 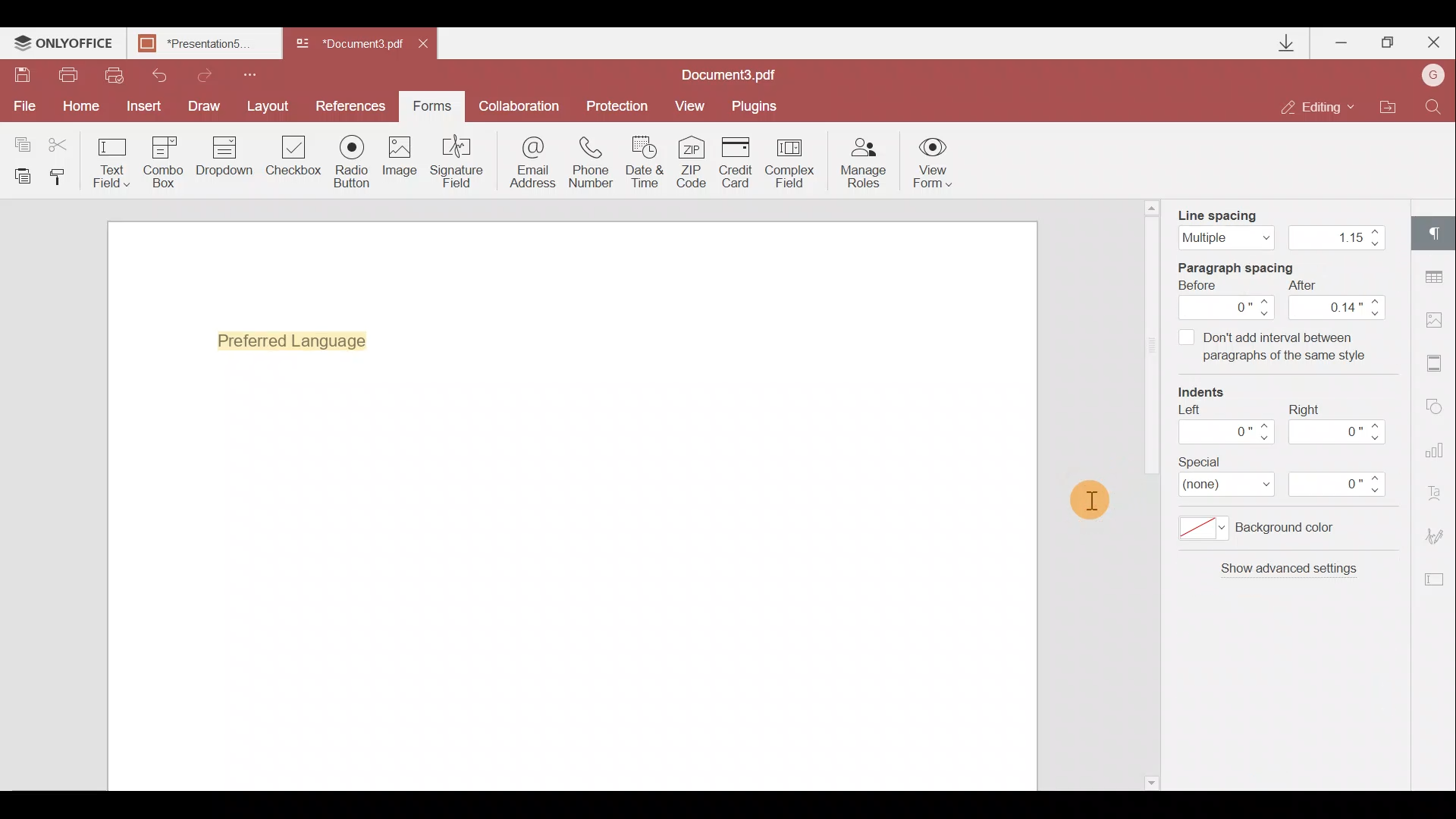 What do you see at coordinates (299, 340) in the screenshot?
I see `Preferred Language` at bounding box center [299, 340].